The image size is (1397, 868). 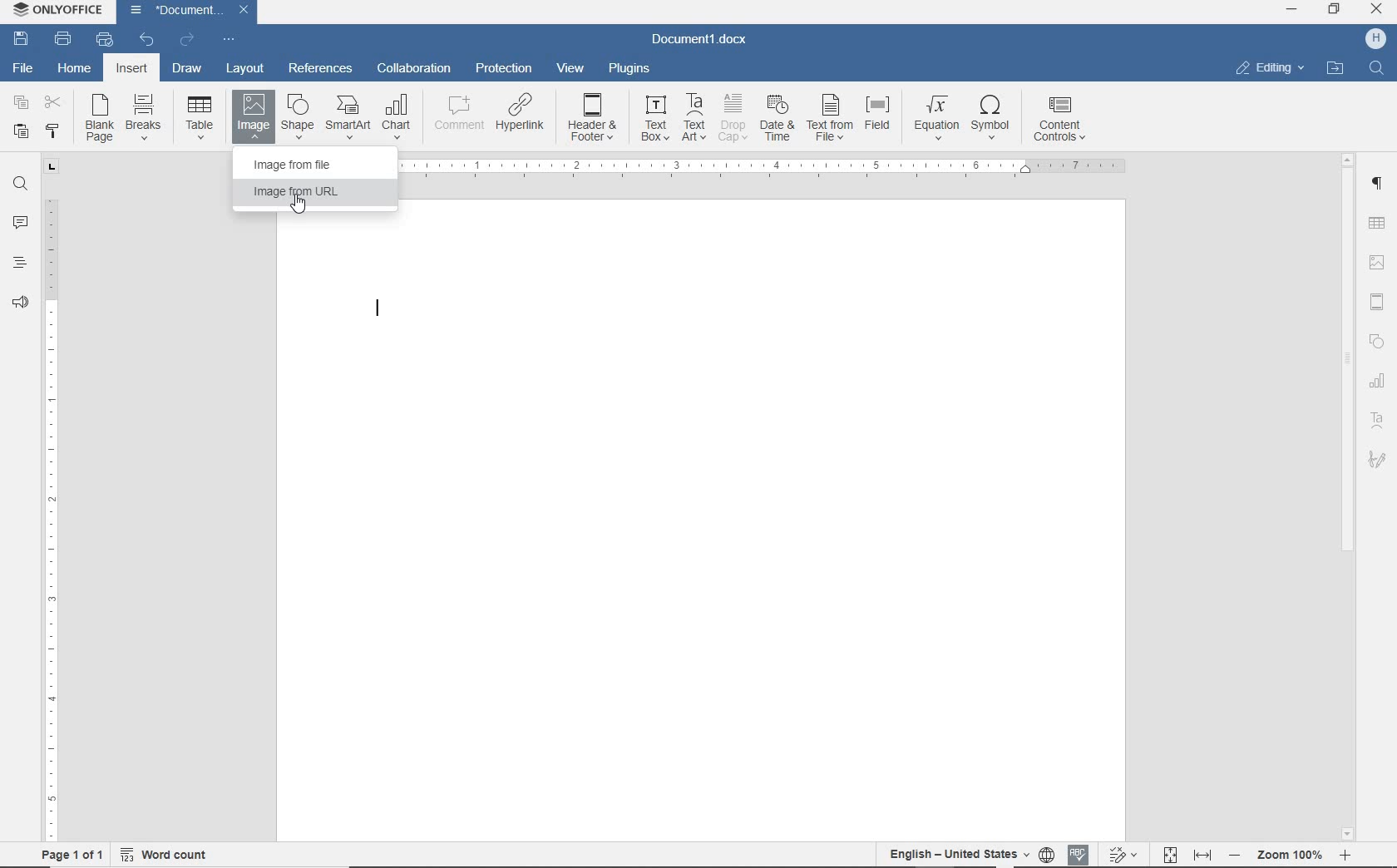 What do you see at coordinates (694, 120) in the screenshot?
I see `TextArt` at bounding box center [694, 120].